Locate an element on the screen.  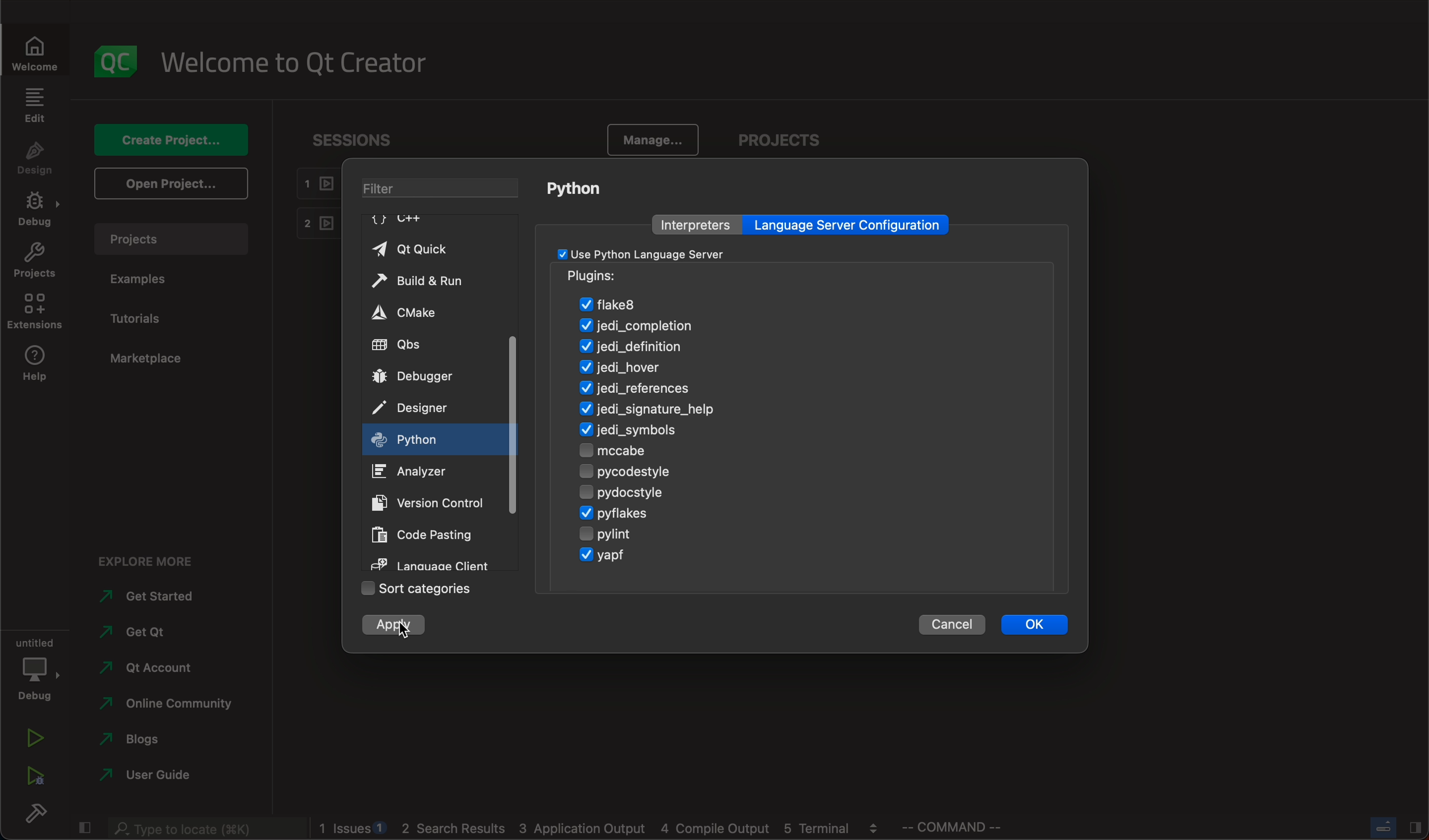
started is located at coordinates (154, 599).